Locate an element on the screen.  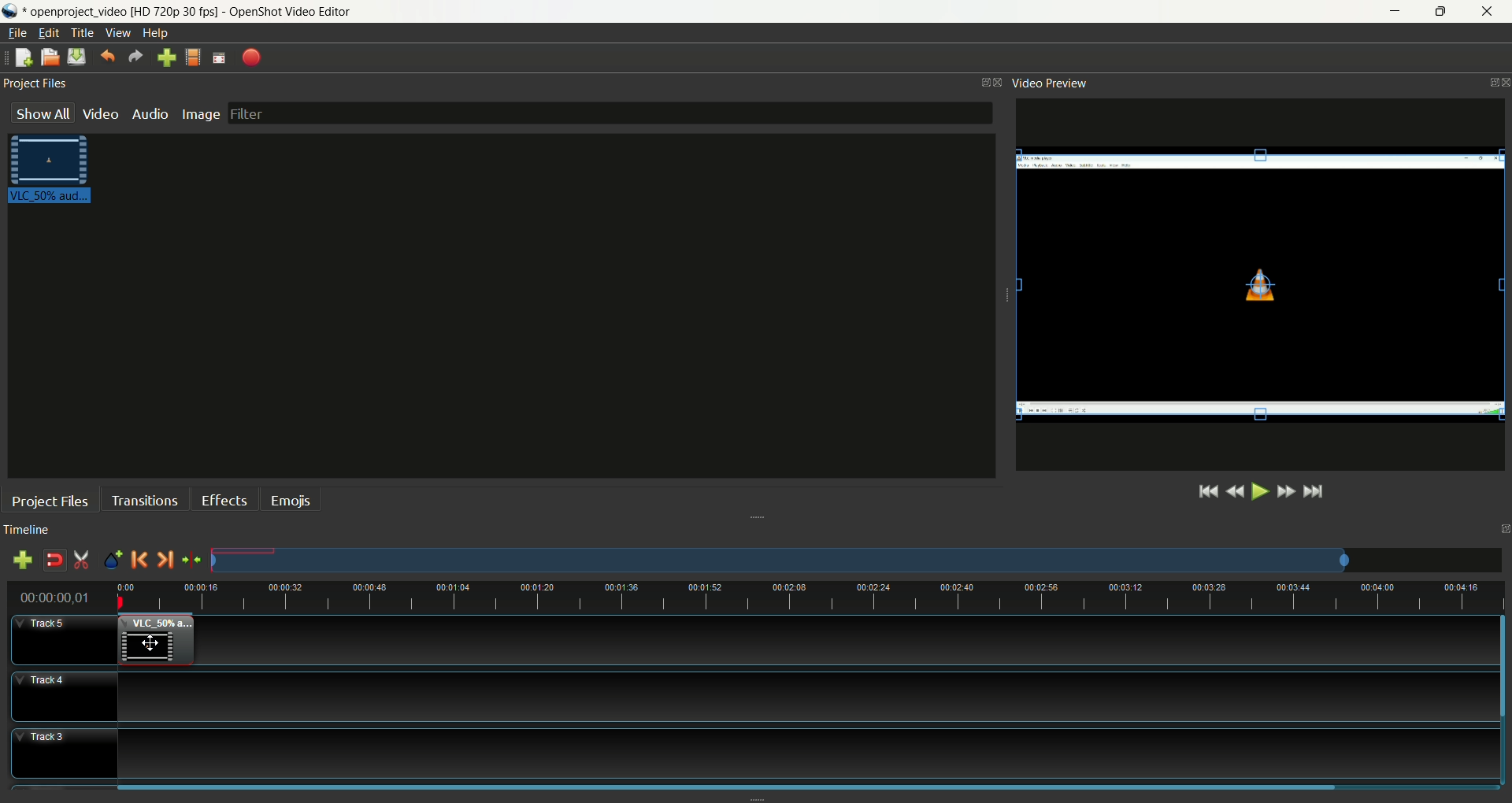
zoom factor is located at coordinates (857, 561).